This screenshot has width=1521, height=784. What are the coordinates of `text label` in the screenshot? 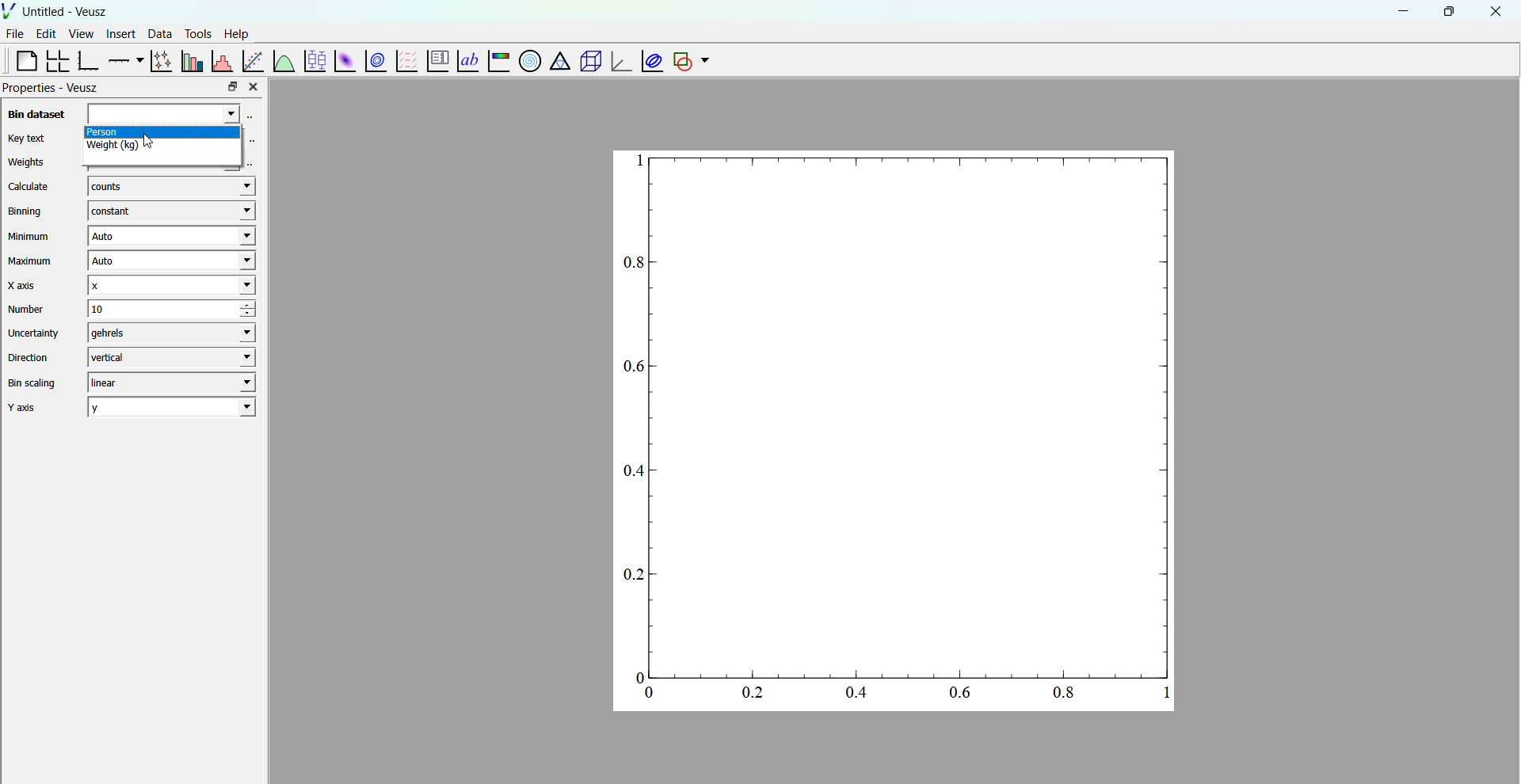 It's located at (466, 59).